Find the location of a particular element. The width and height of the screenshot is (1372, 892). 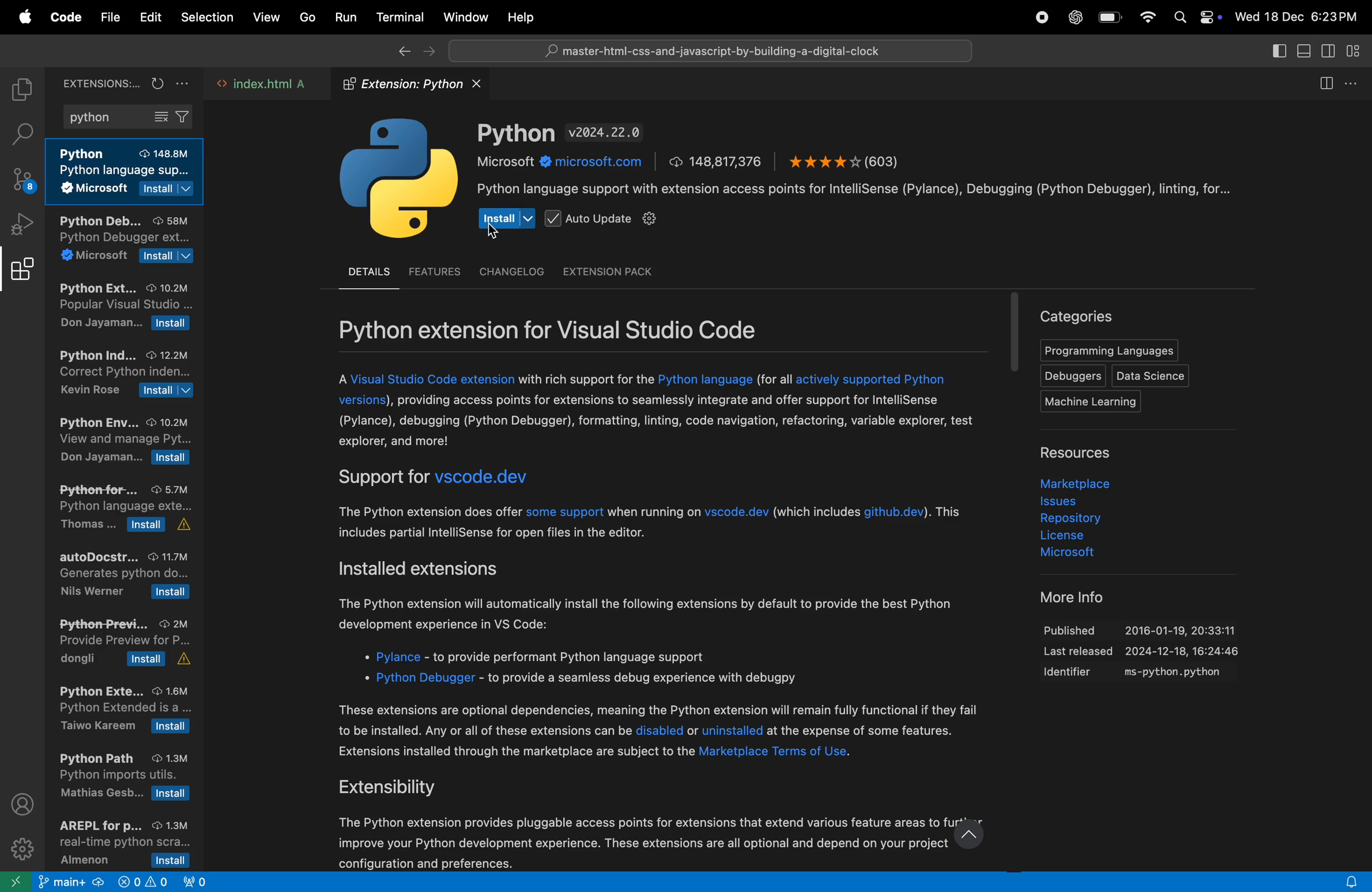

liscence is located at coordinates (1076, 537).